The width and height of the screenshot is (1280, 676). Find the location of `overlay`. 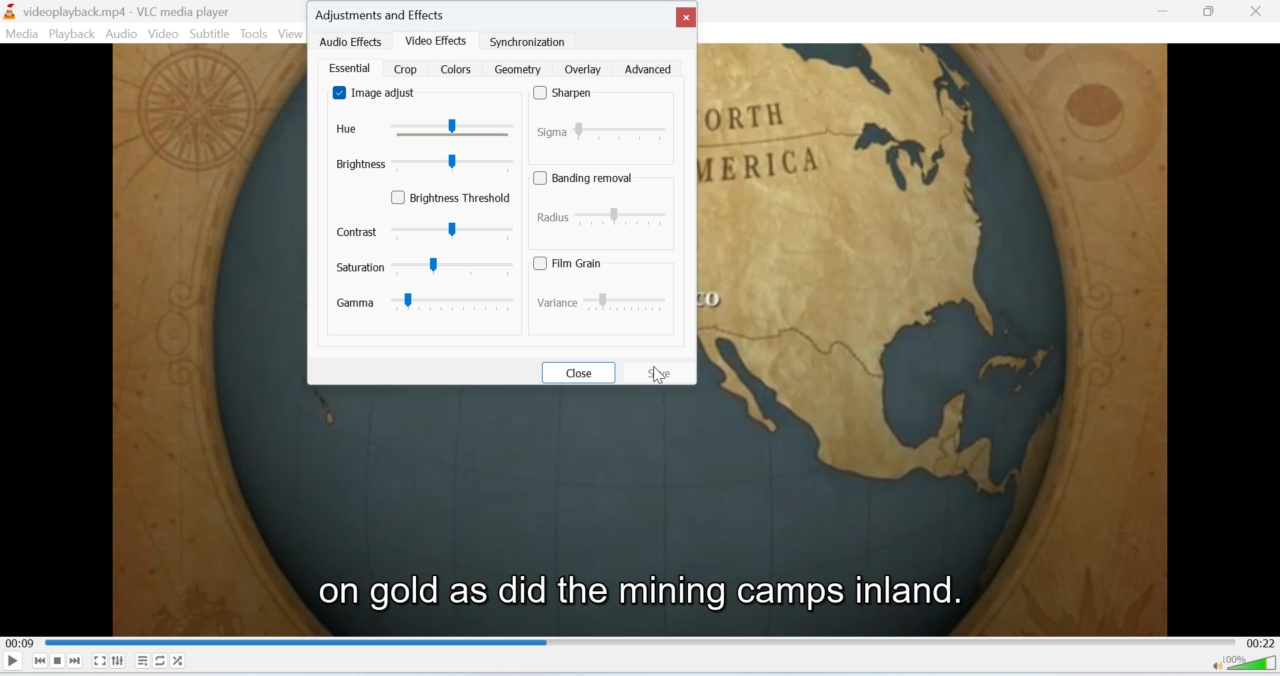

overlay is located at coordinates (582, 70).